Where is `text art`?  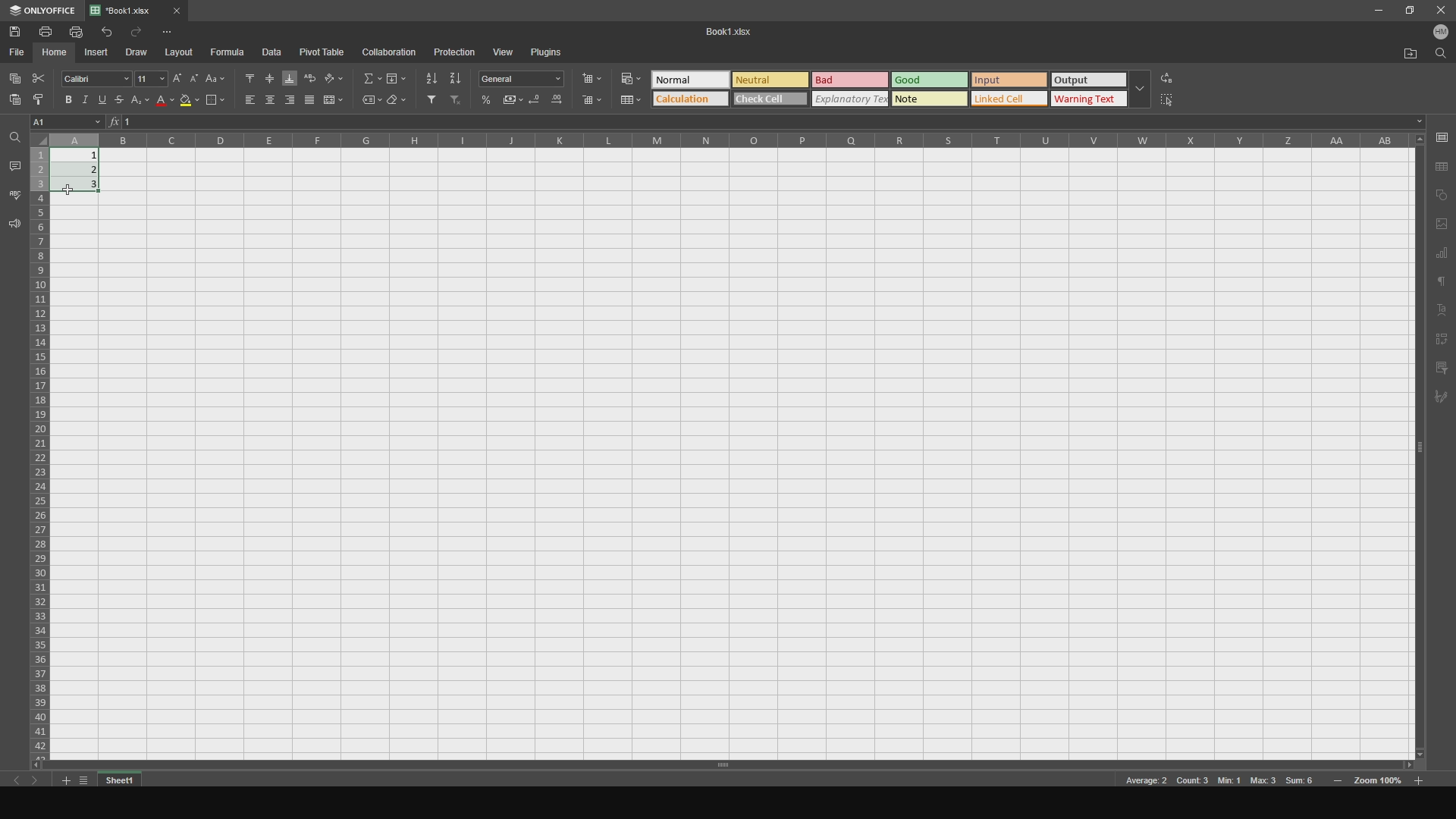
text art is located at coordinates (1443, 309).